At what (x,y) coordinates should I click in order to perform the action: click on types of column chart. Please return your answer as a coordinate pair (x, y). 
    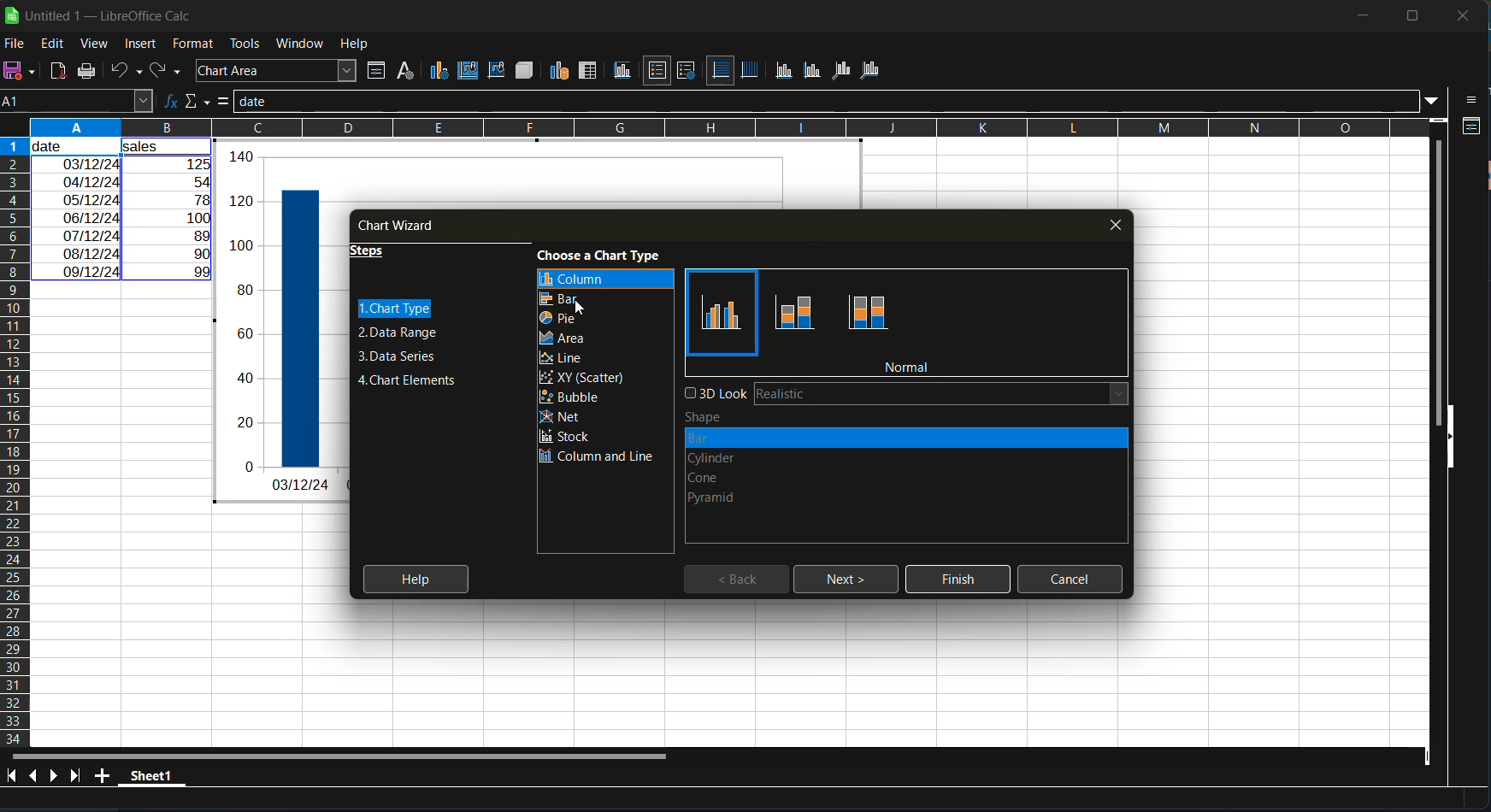
    Looking at the image, I should click on (804, 315).